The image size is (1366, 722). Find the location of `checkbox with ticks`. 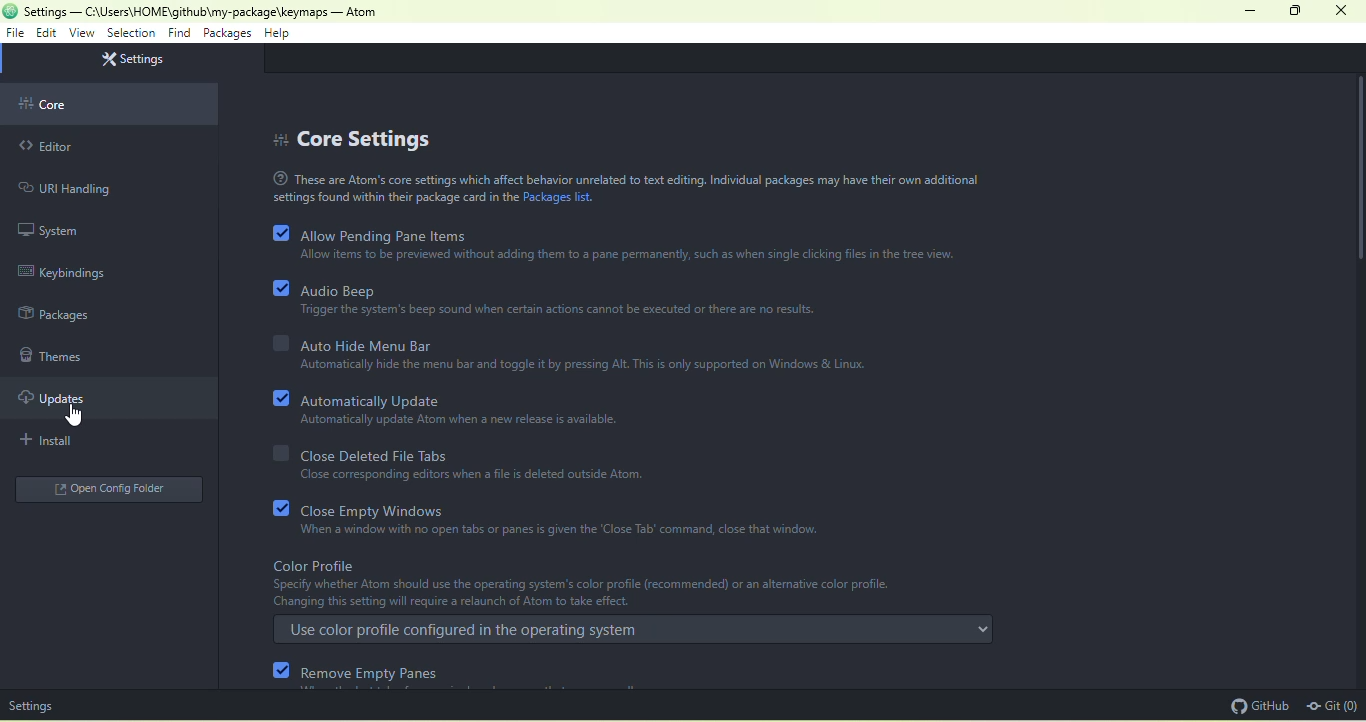

checkbox with ticks is located at coordinates (280, 508).